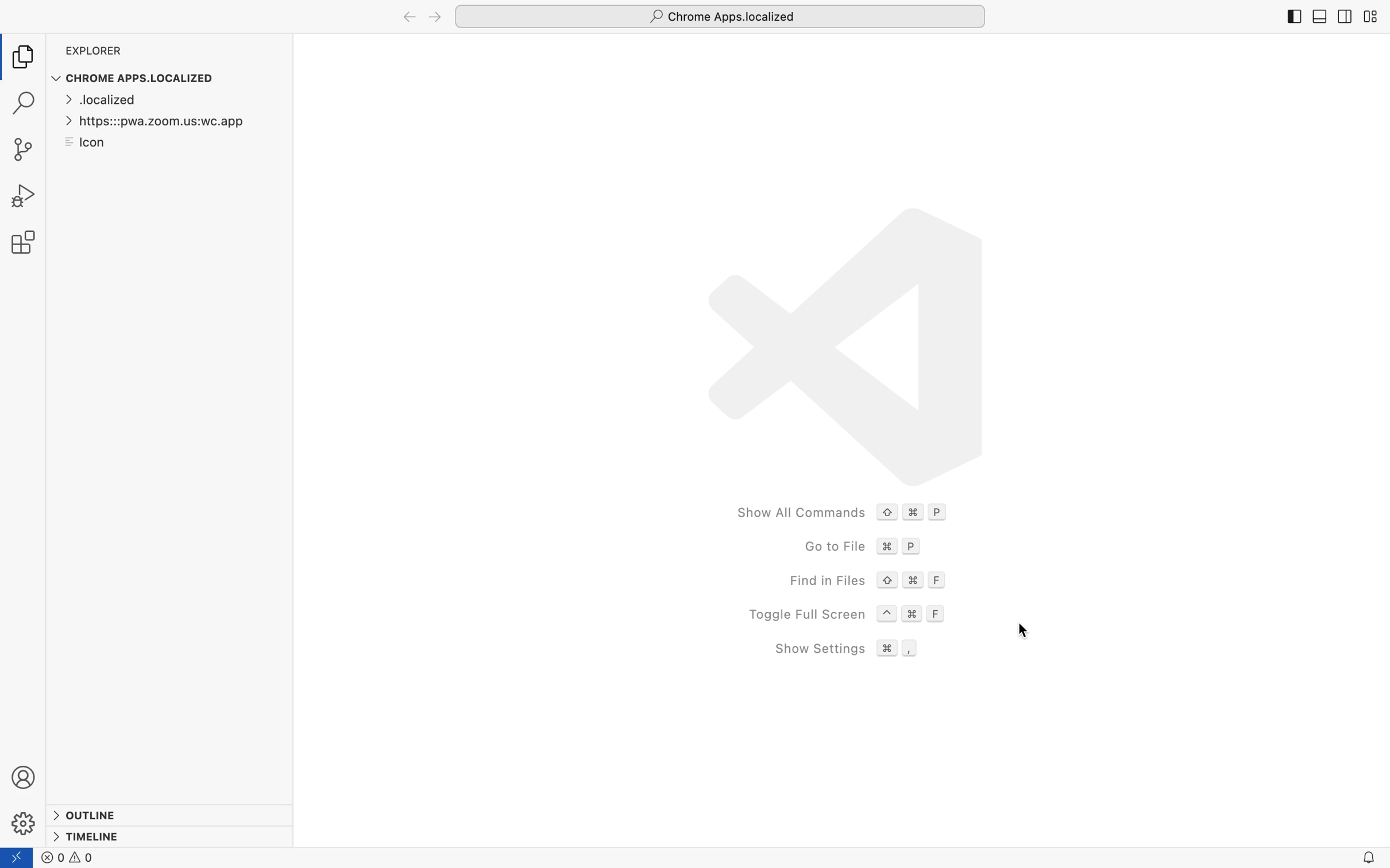 The image size is (1390, 868). What do you see at coordinates (91, 837) in the screenshot?
I see `timeline` at bounding box center [91, 837].